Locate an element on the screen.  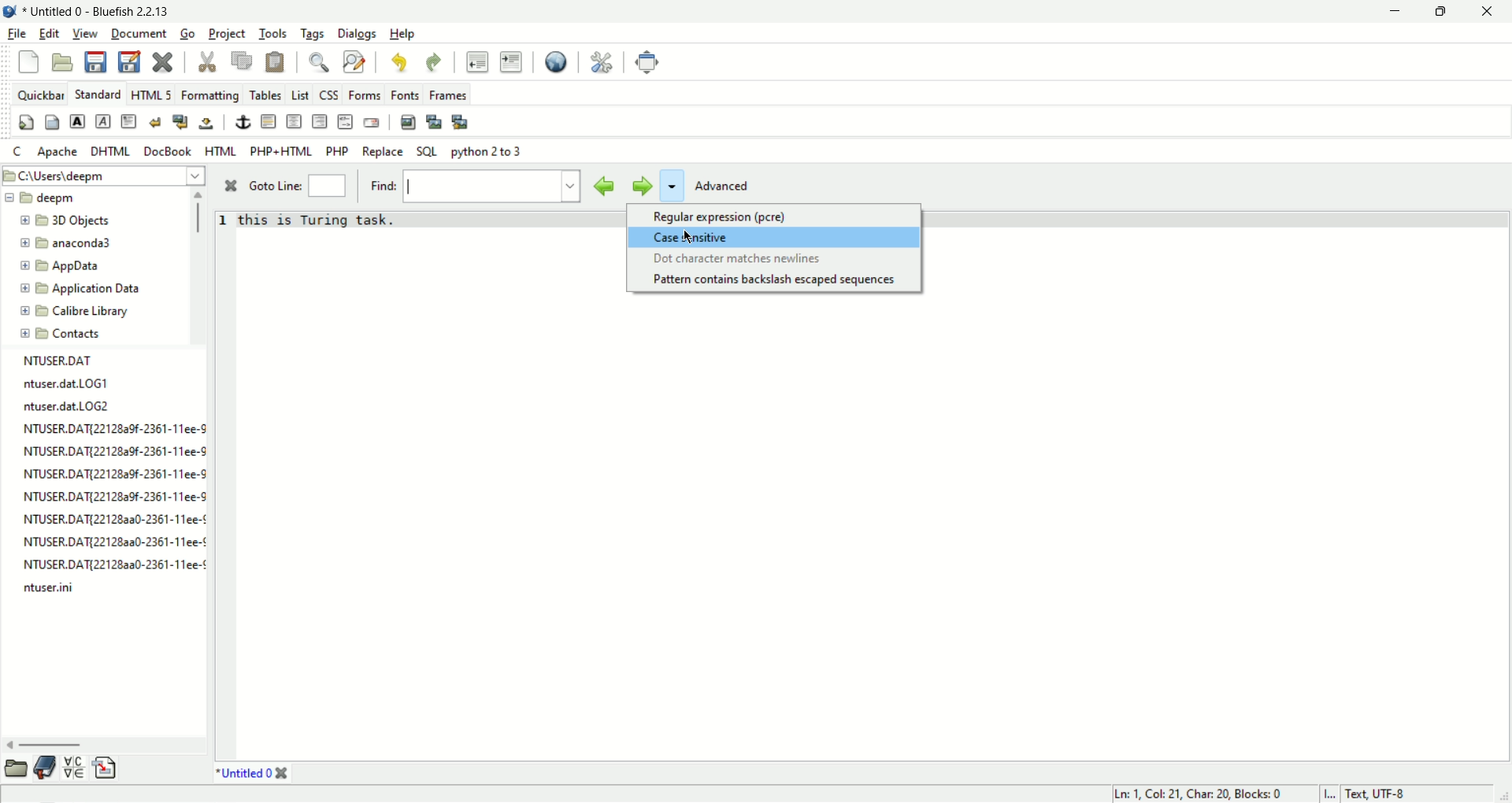
NTUSER.DAT{221282a0-2361-11ee-¢ is located at coordinates (106, 521).